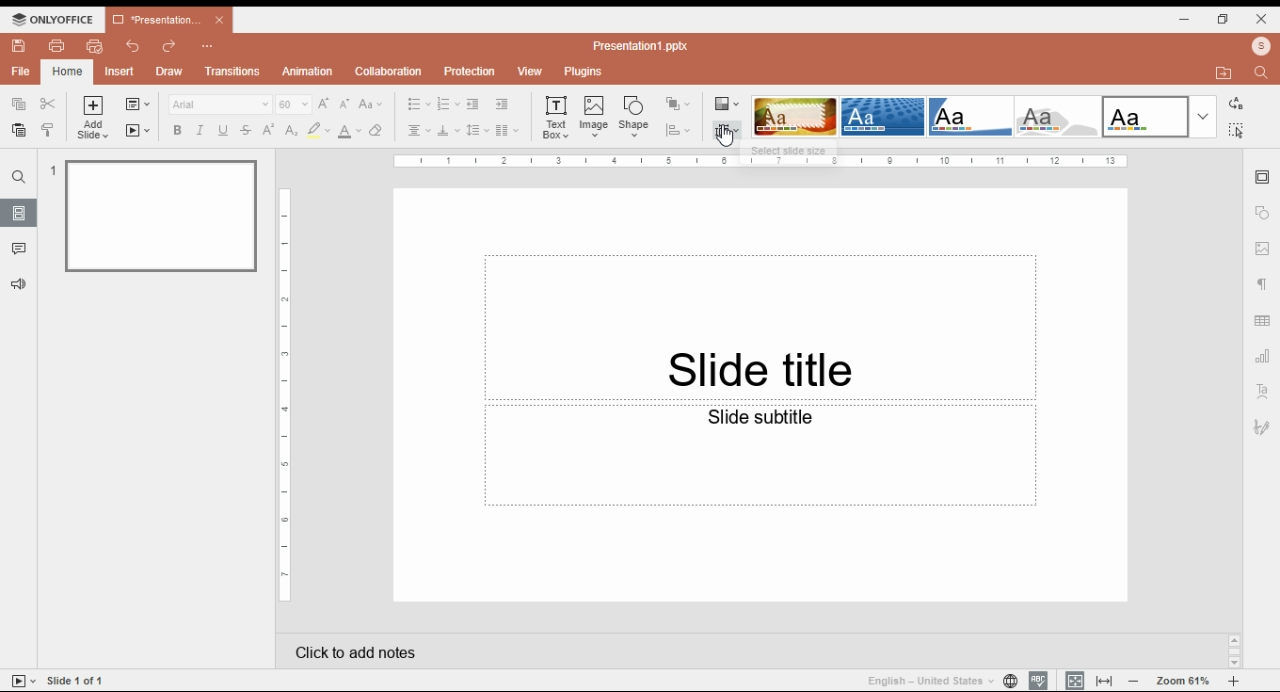 This screenshot has width=1280, height=692. I want to click on Scroll bar, so click(1234, 650).